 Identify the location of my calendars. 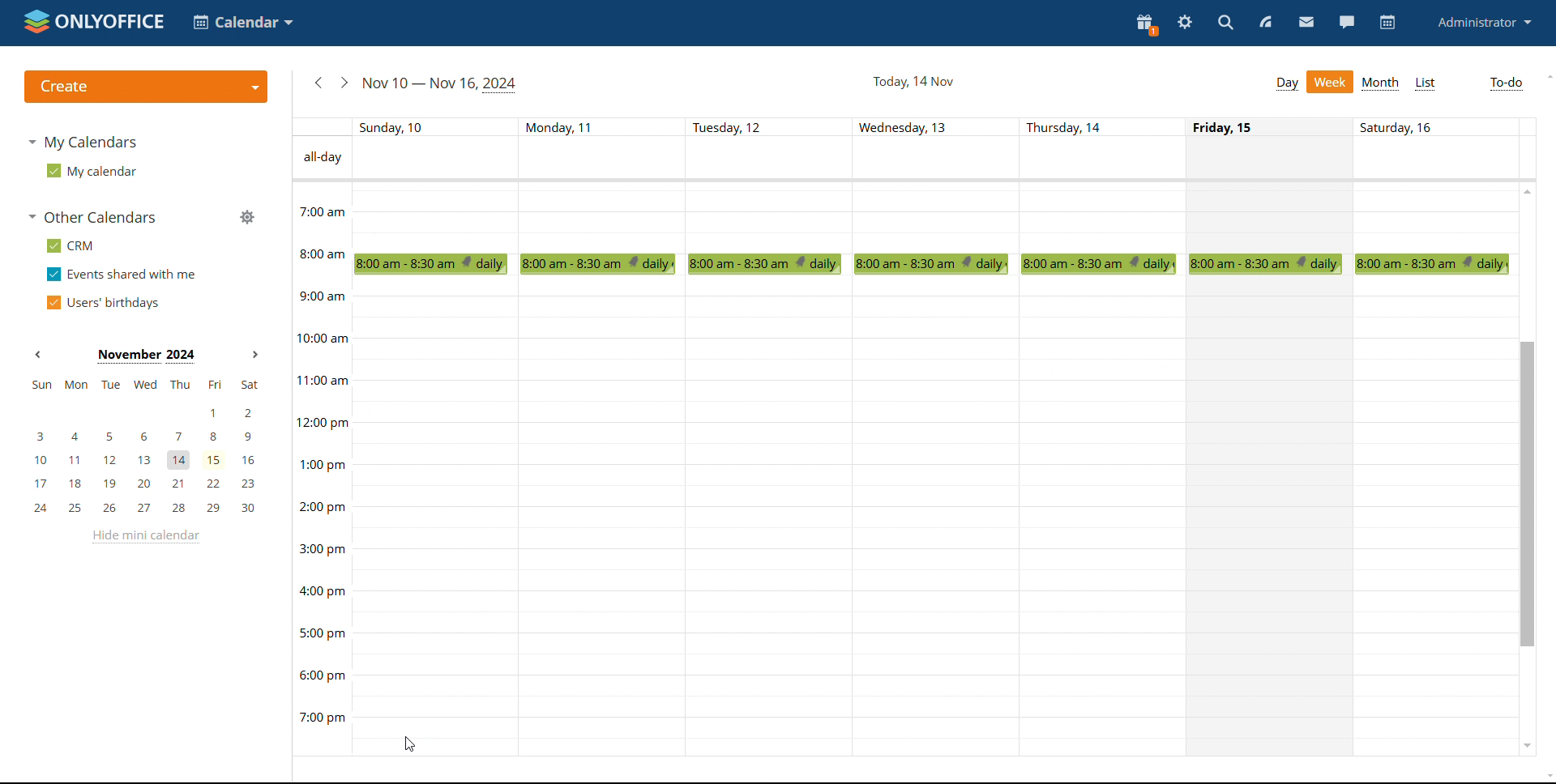
(83, 141).